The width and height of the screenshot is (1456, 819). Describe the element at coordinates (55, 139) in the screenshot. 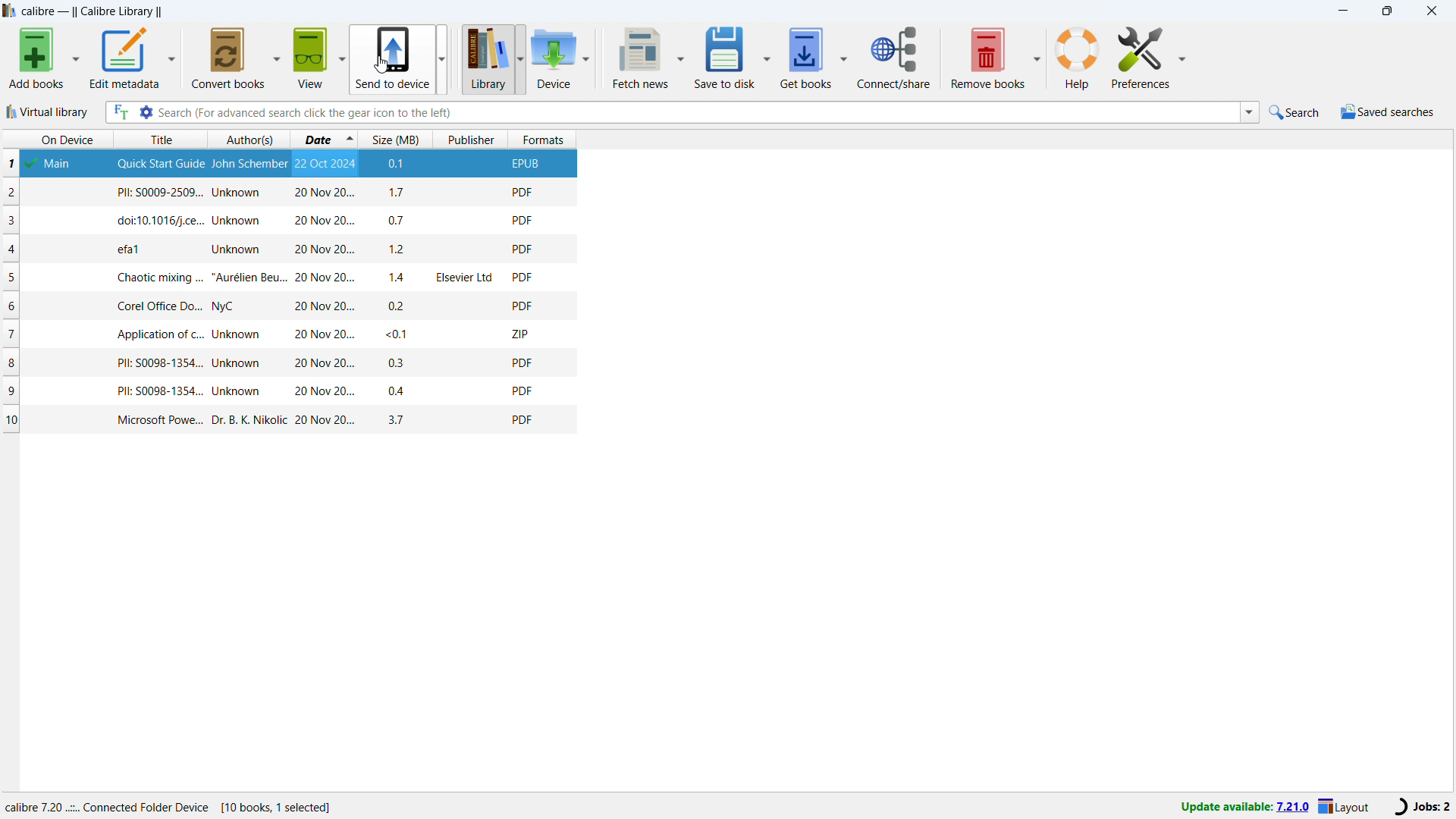

I see `on device` at that location.